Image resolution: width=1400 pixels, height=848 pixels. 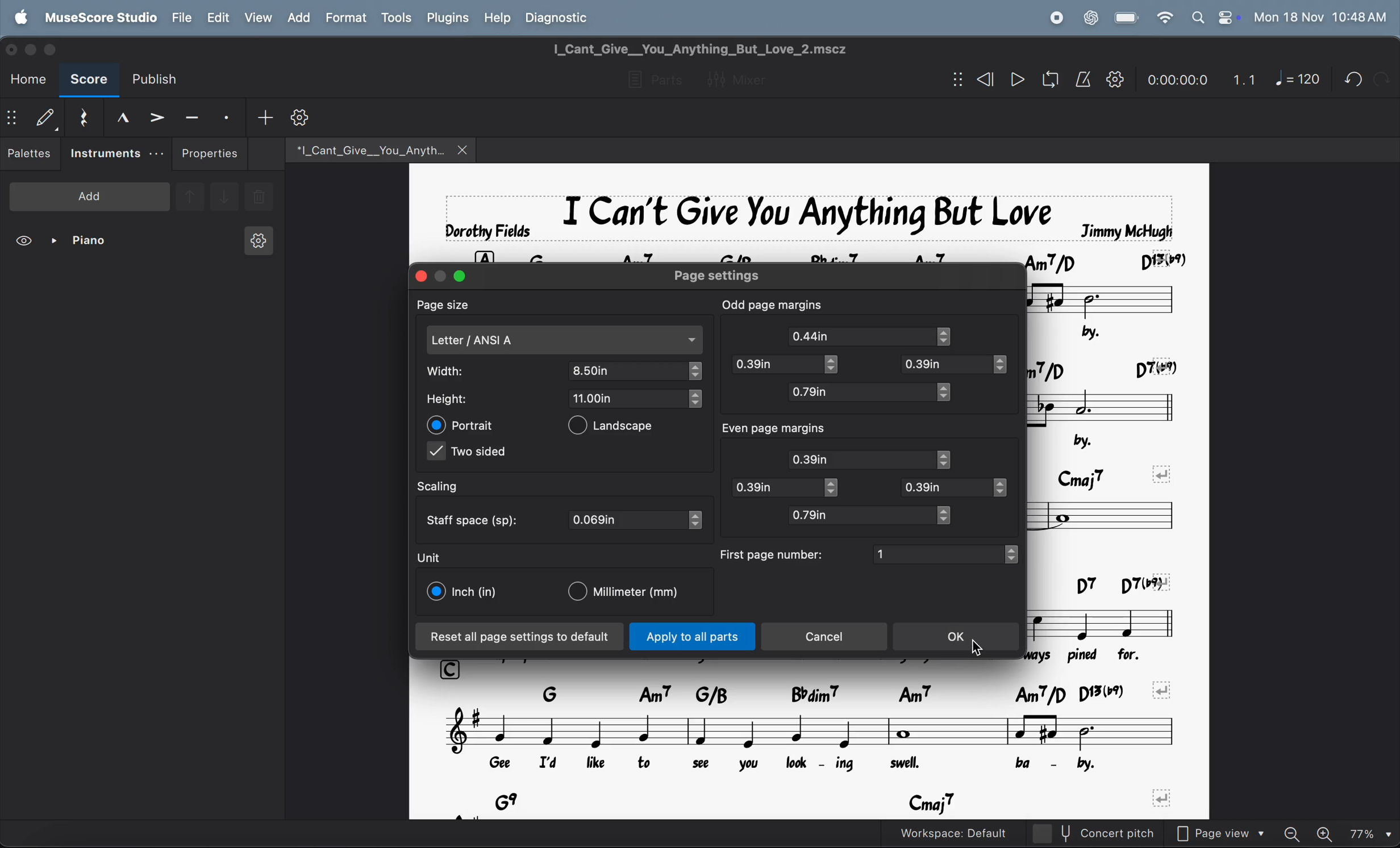 I want to click on rows, so click(x=453, y=667).